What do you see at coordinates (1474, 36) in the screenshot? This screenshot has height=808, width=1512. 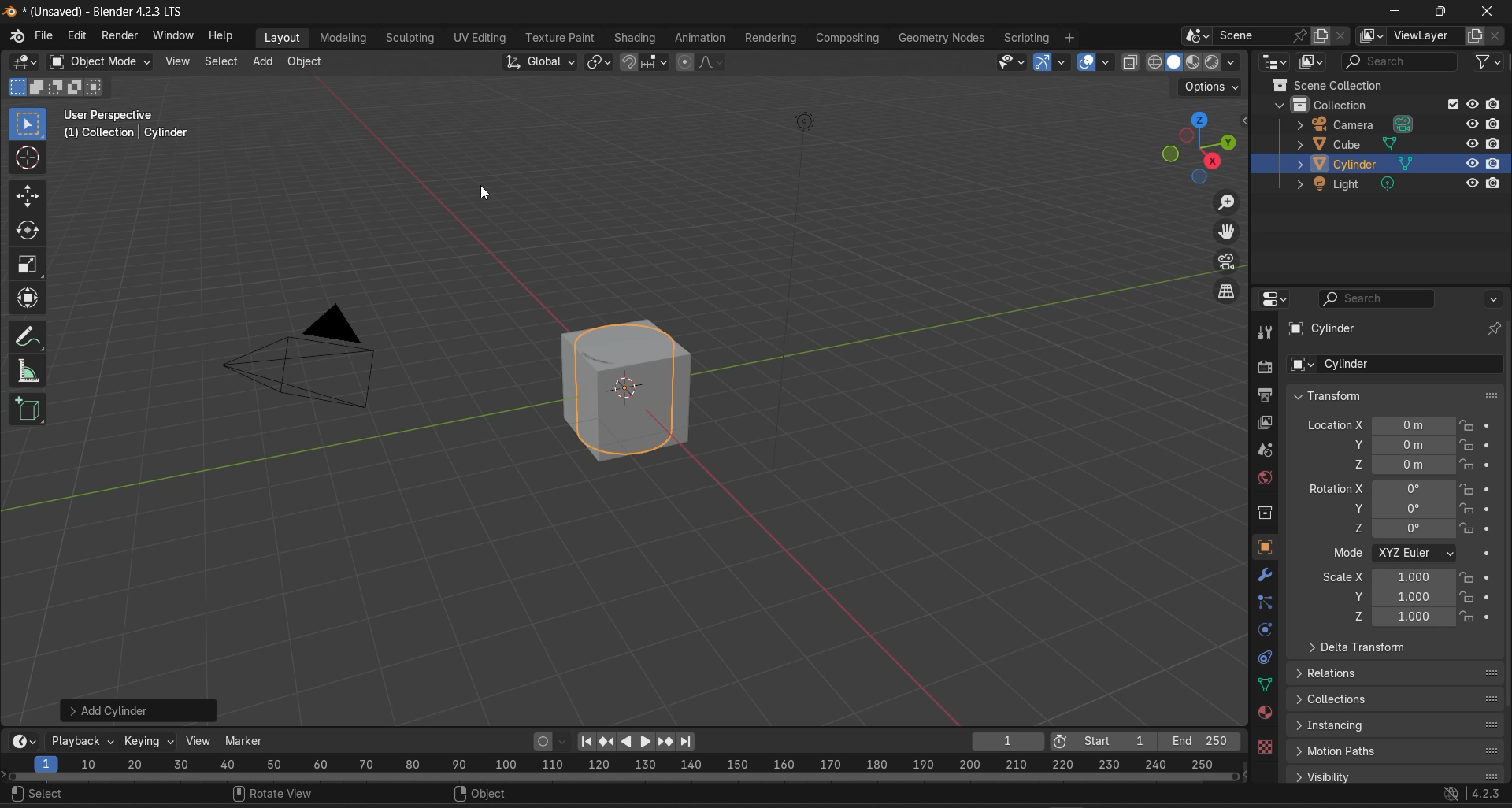 I see `add view layer` at bounding box center [1474, 36].